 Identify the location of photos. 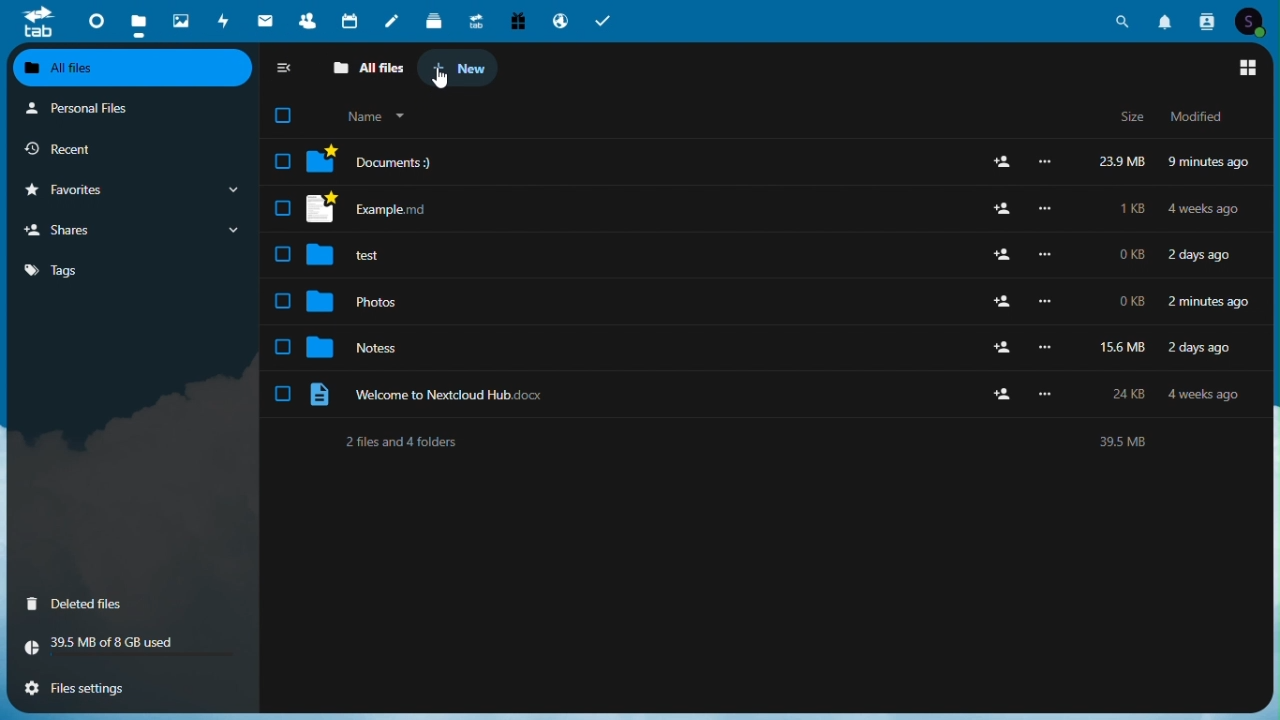
(180, 19).